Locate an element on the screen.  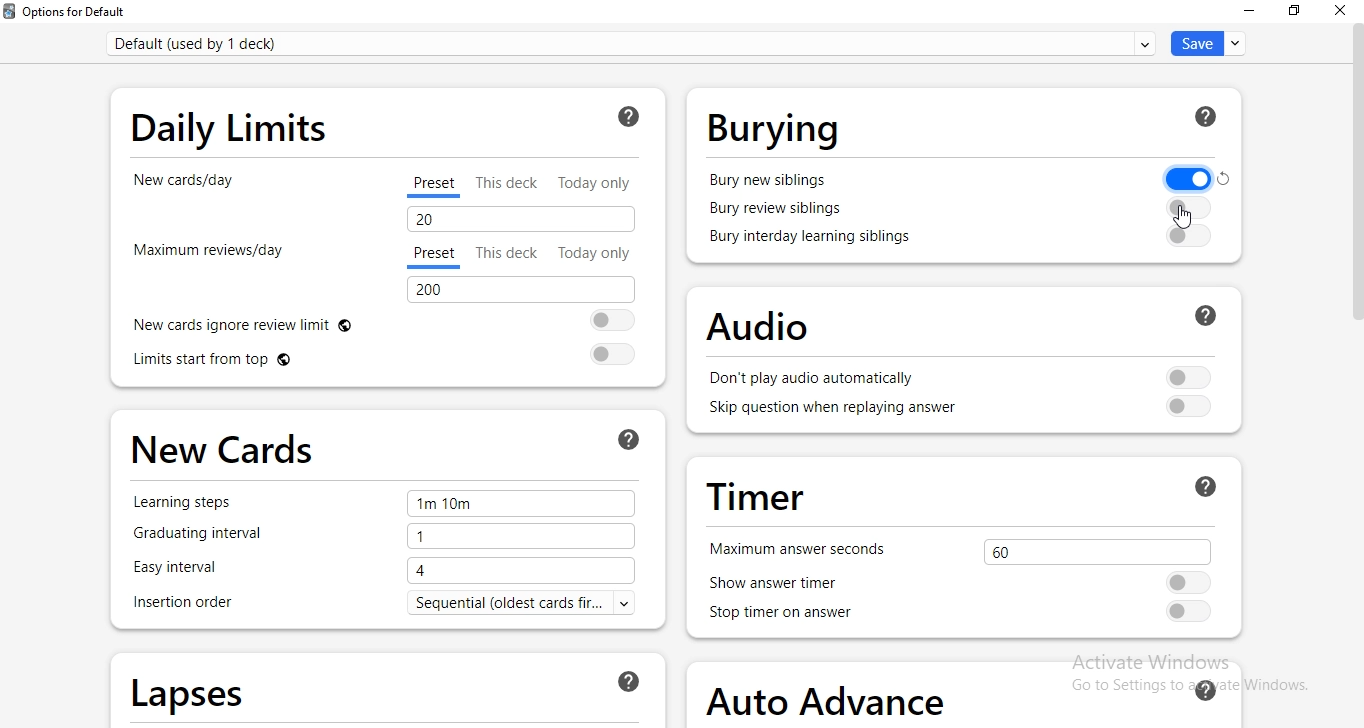
sequential (oldest cards.. is located at coordinates (533, 604).